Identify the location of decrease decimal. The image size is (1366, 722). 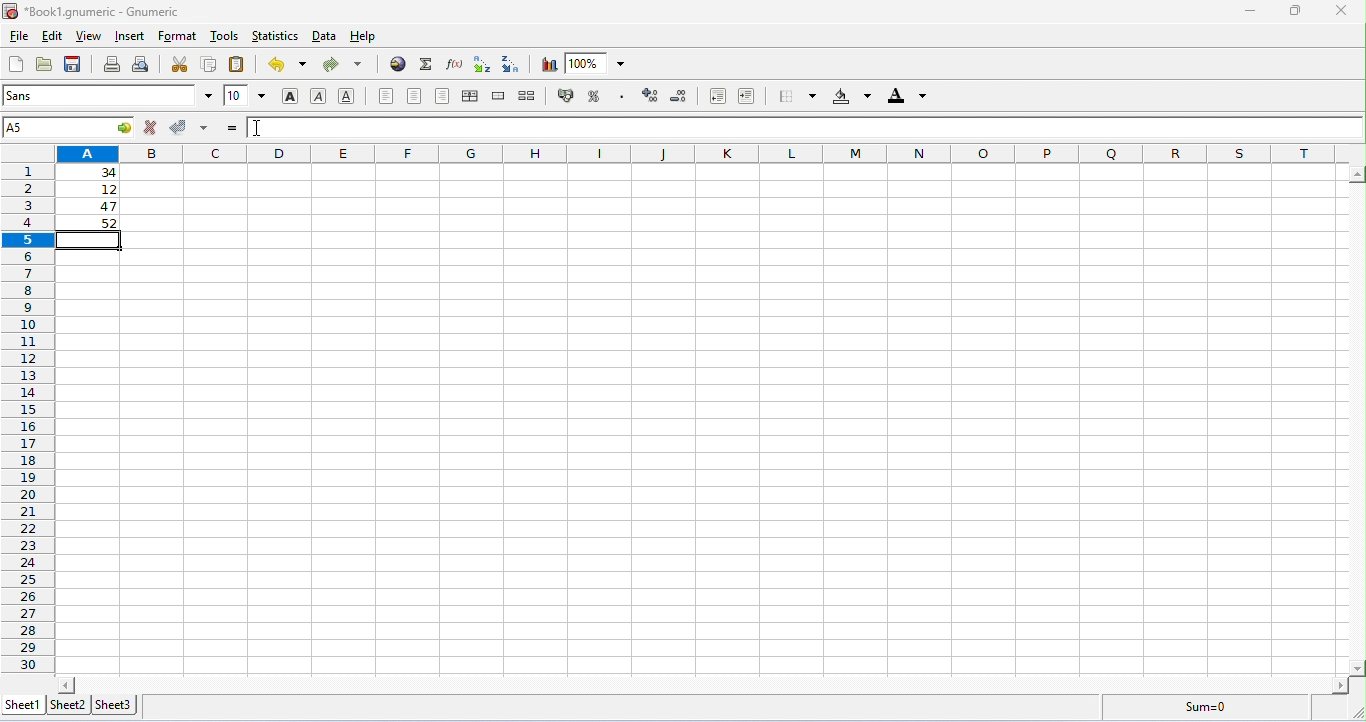
(680, 96).